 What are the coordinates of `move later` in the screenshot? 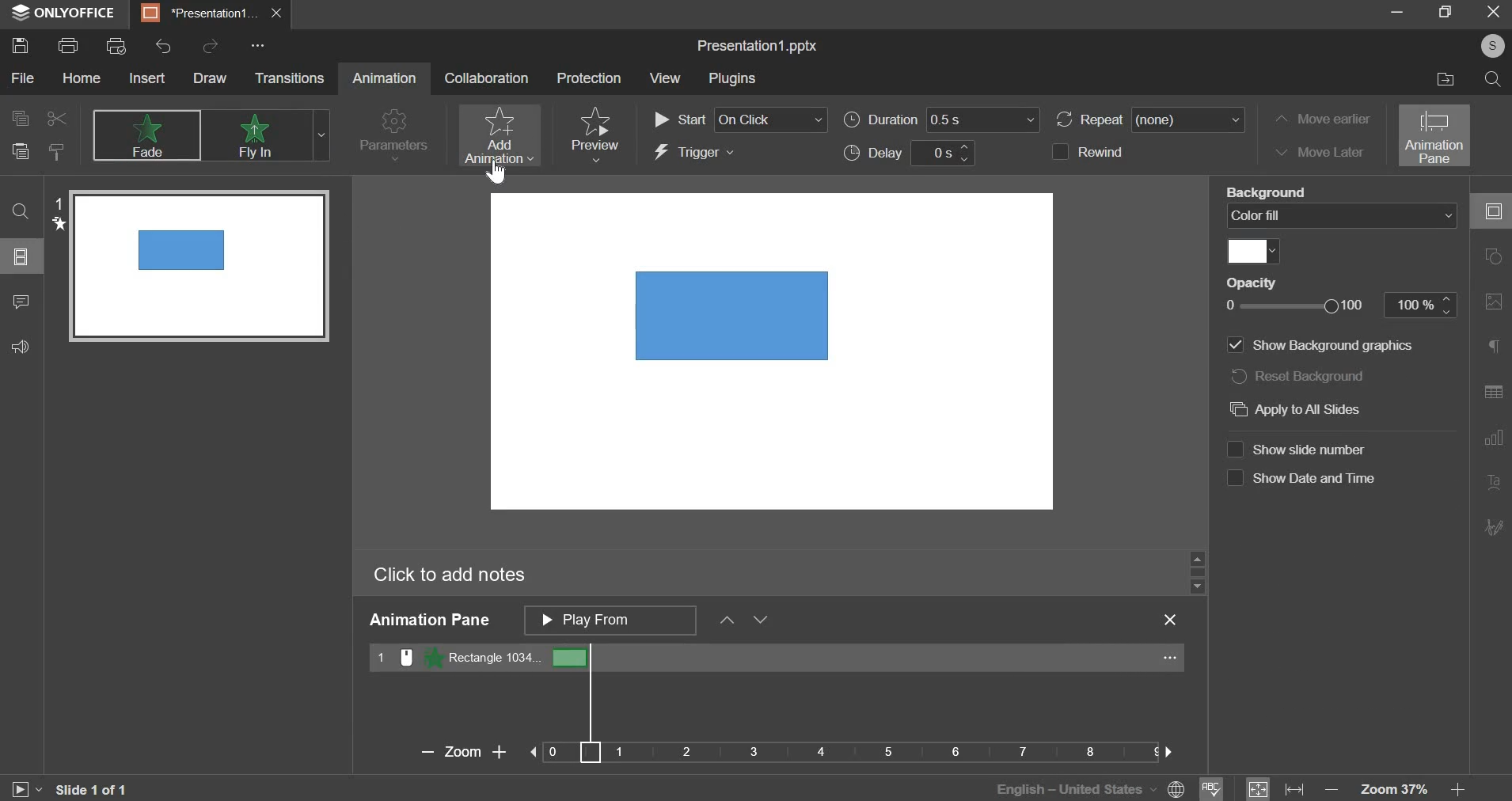 It's located at (1321, 154).